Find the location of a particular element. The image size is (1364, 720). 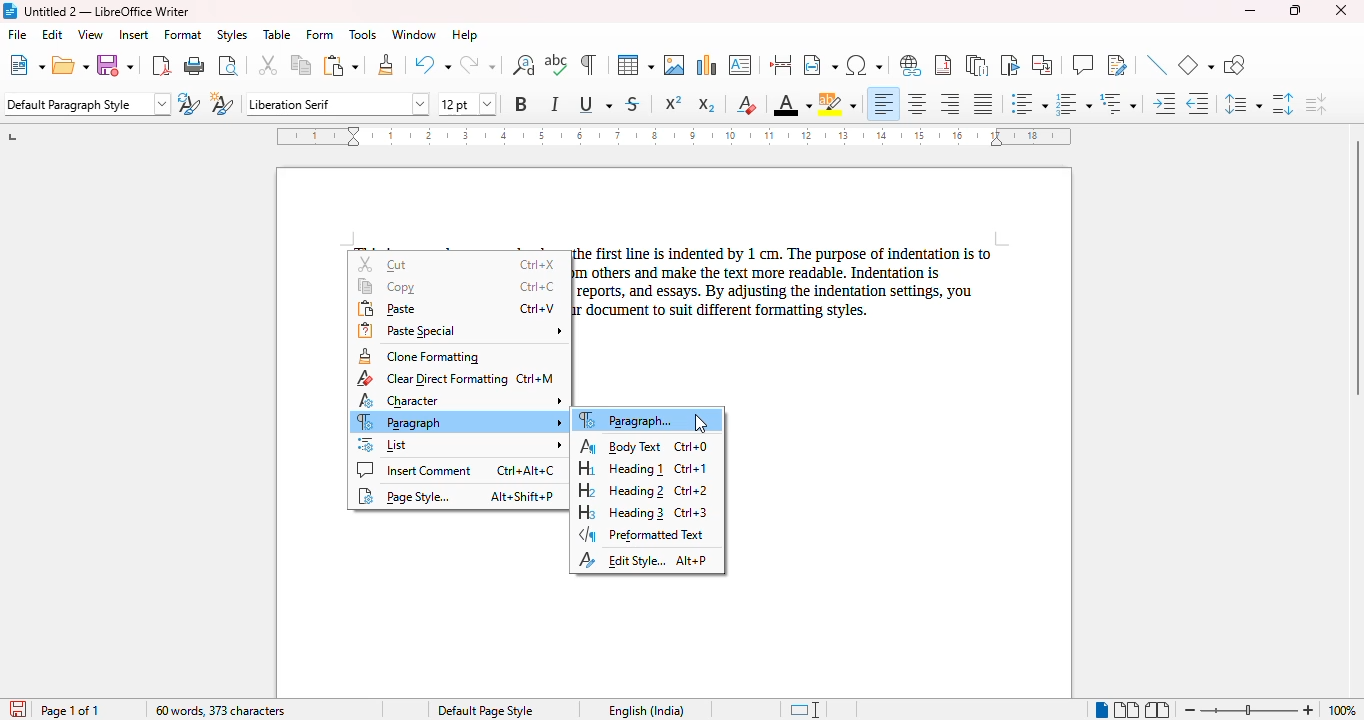

styles is located at coordinates (231, 34).